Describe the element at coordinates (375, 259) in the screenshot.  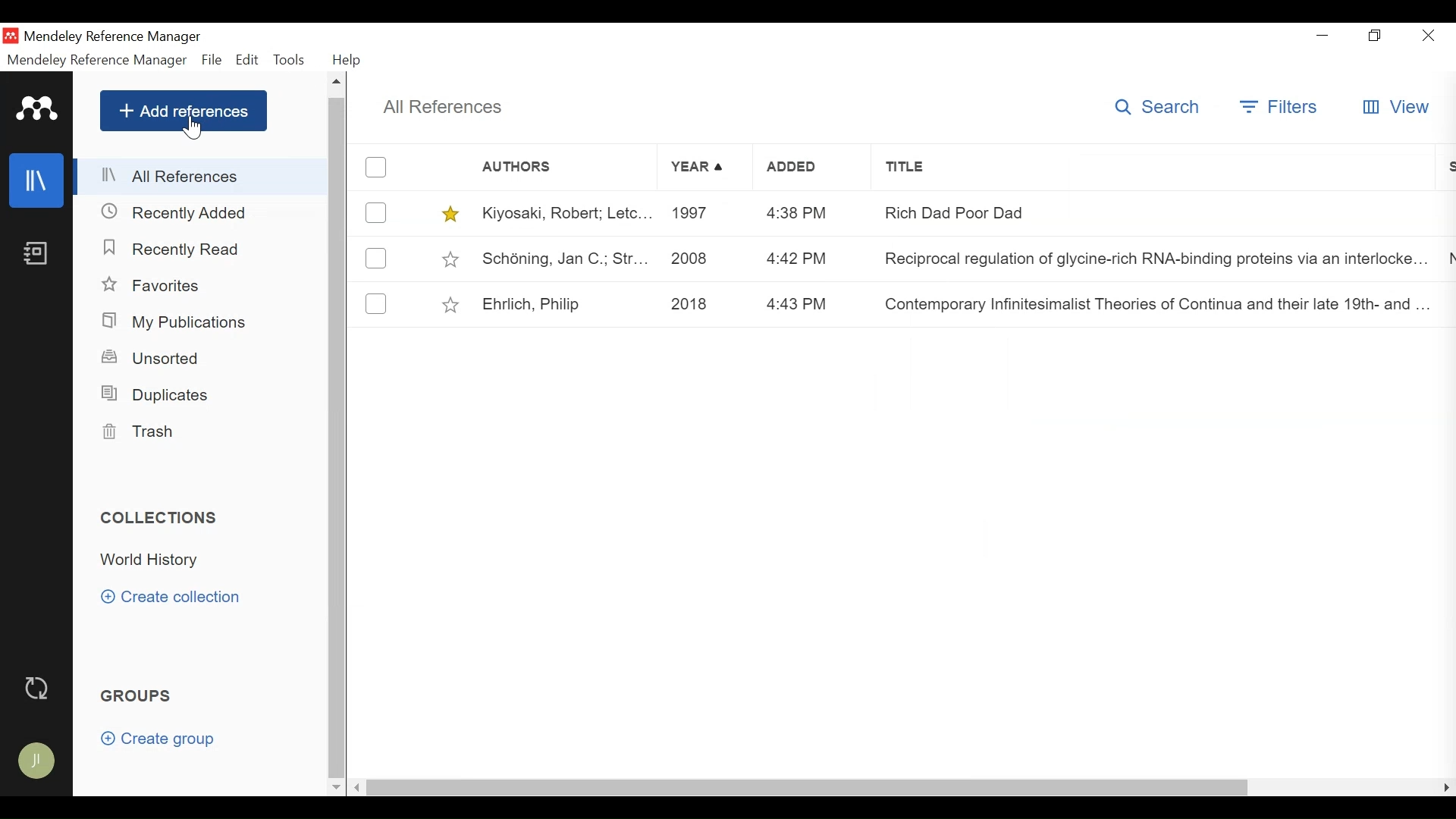
I see `(un)select` at that location.